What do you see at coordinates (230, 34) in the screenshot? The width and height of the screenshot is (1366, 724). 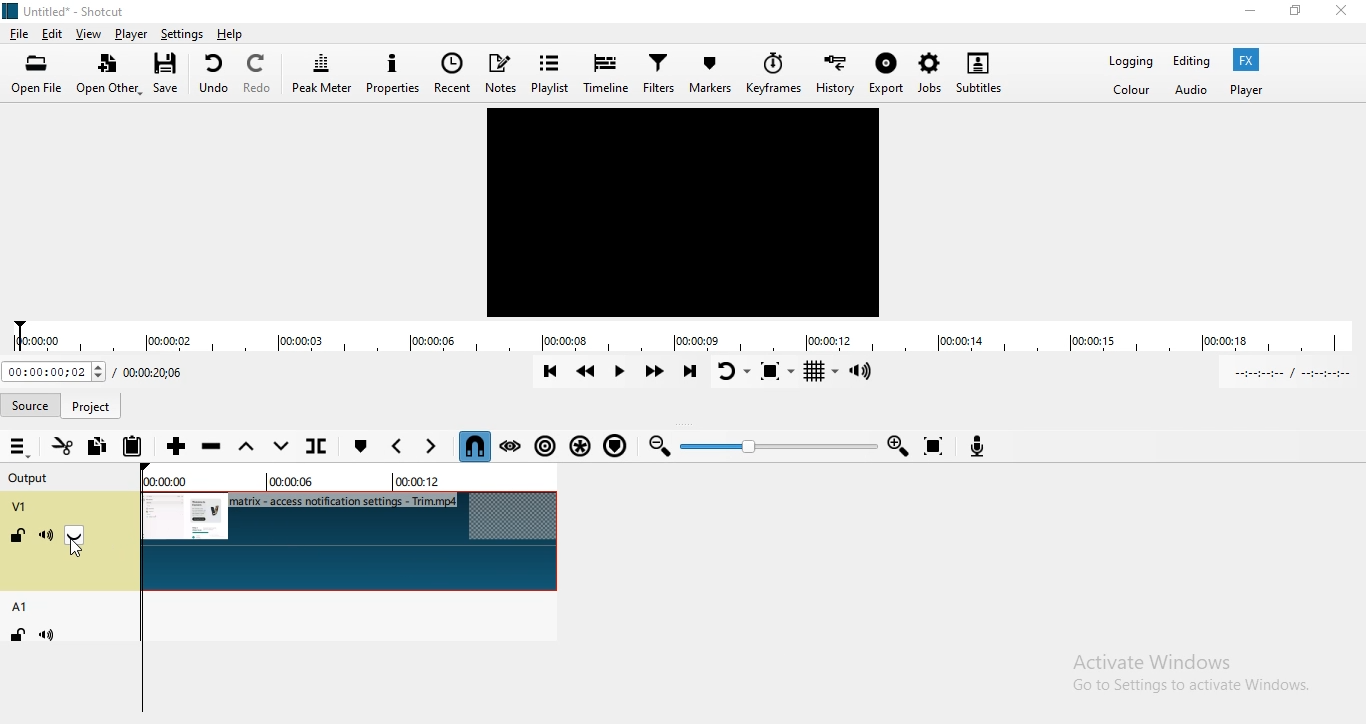 I see `help` at bounding box center [230, 34].